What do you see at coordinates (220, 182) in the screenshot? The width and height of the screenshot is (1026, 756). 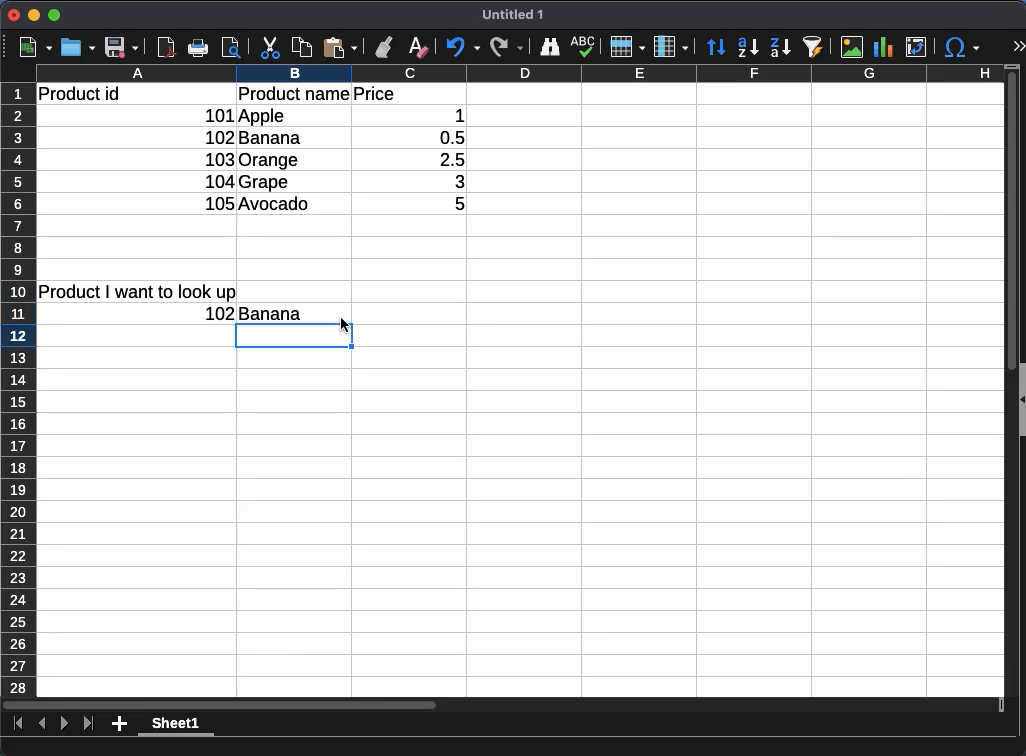 I see `104` at bounding box center [220, 182].